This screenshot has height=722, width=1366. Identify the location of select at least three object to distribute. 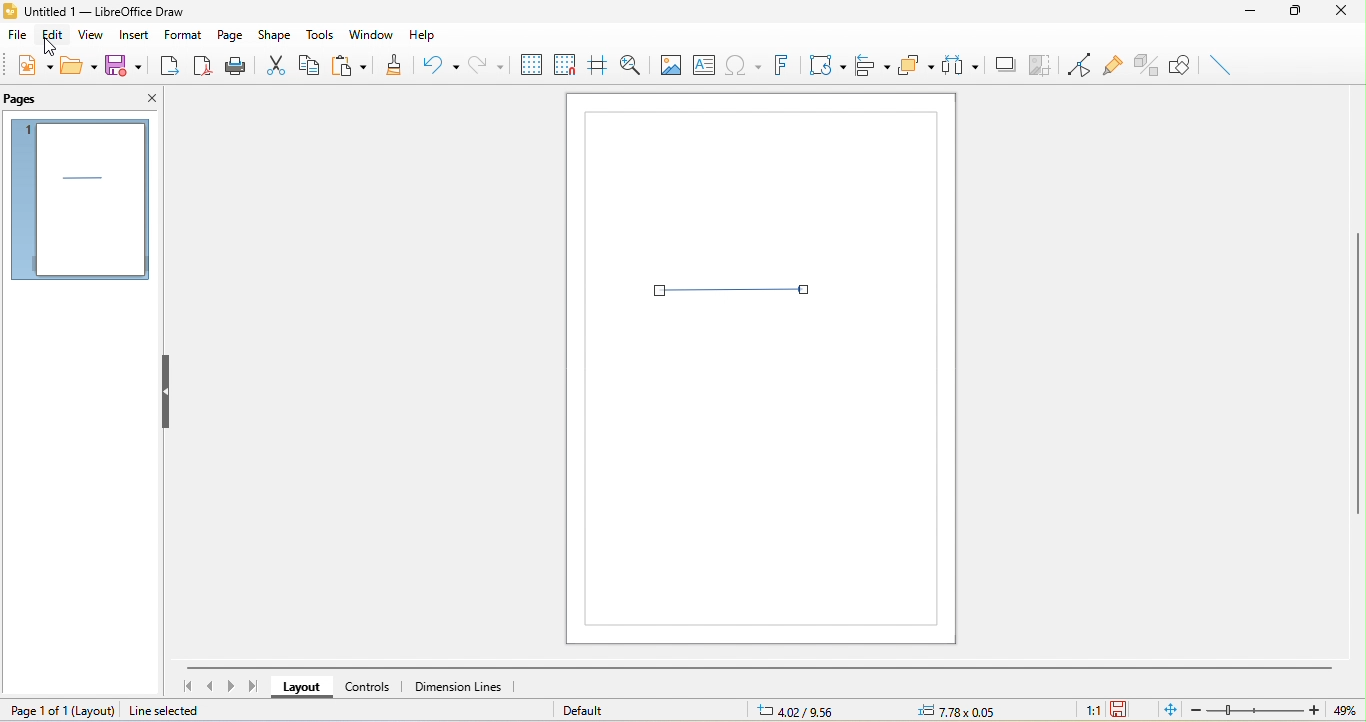
(962, 68).